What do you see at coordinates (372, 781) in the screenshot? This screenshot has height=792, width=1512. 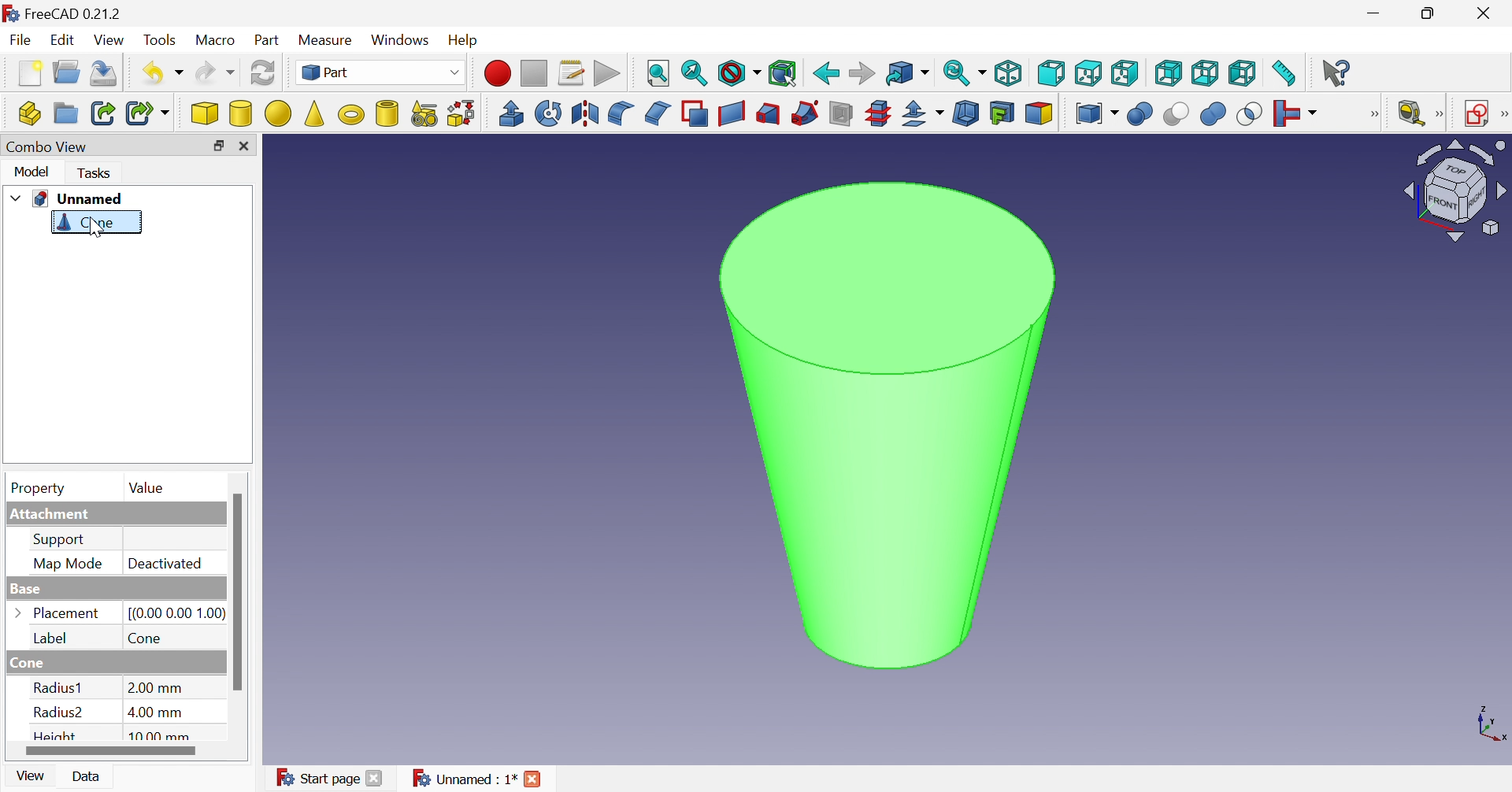 I see `Close` at bounding box center [372, 781].